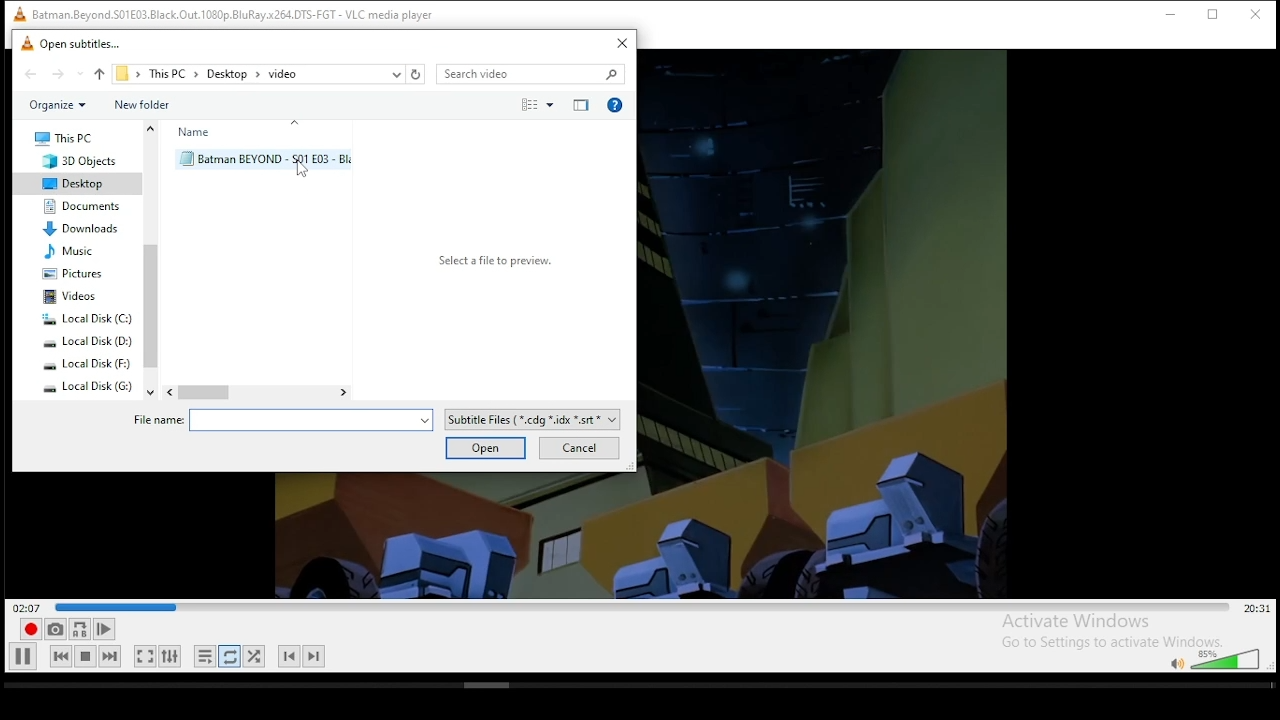 This screenshot has height=720, width=1280. What do you see at coordinates (84, 229) in the screenshot?
I see `downloads` at bounding box center [84, 229].